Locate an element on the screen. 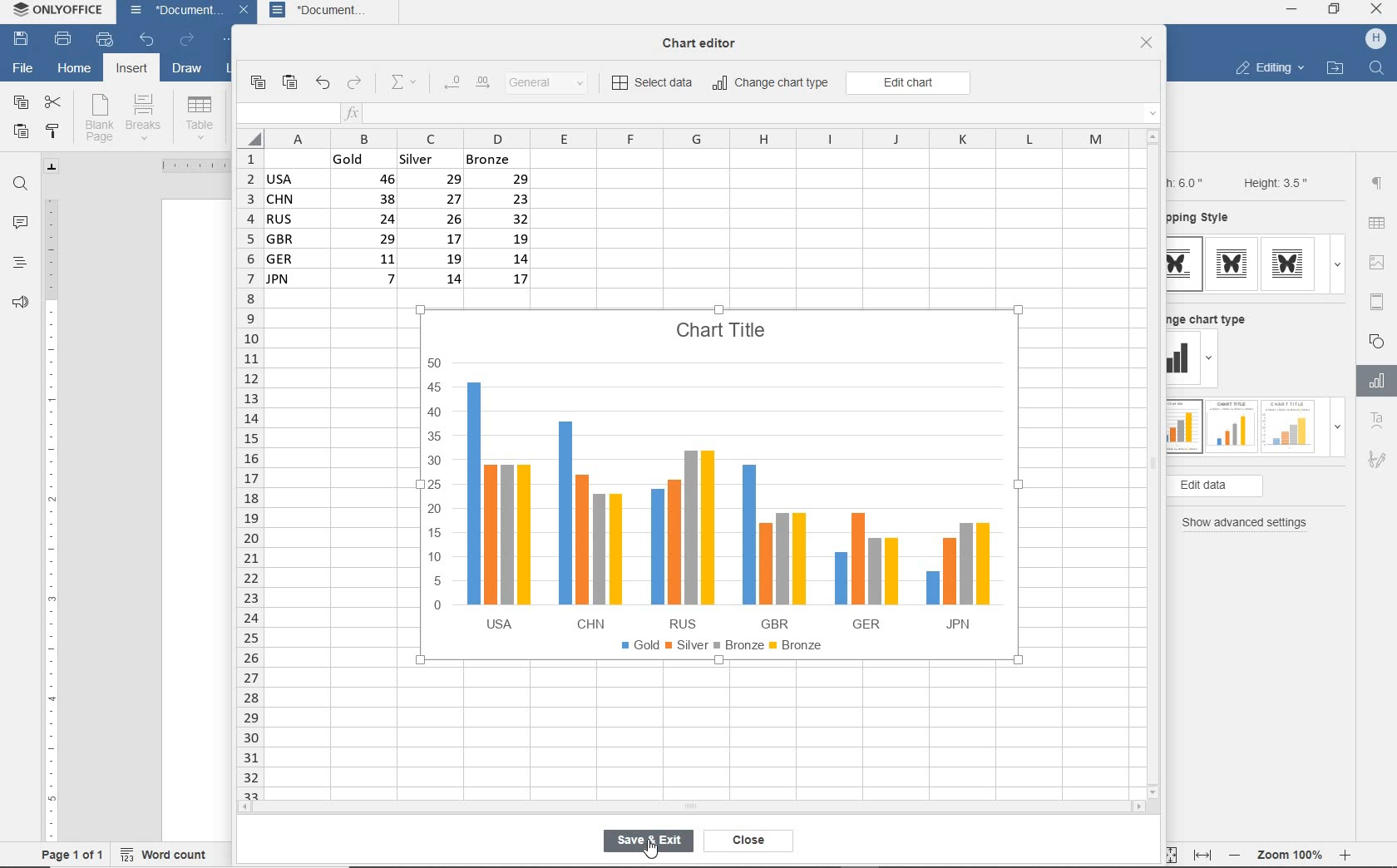 This screenshot has height=868, width=1397. file is located at coordinates (22, 67).